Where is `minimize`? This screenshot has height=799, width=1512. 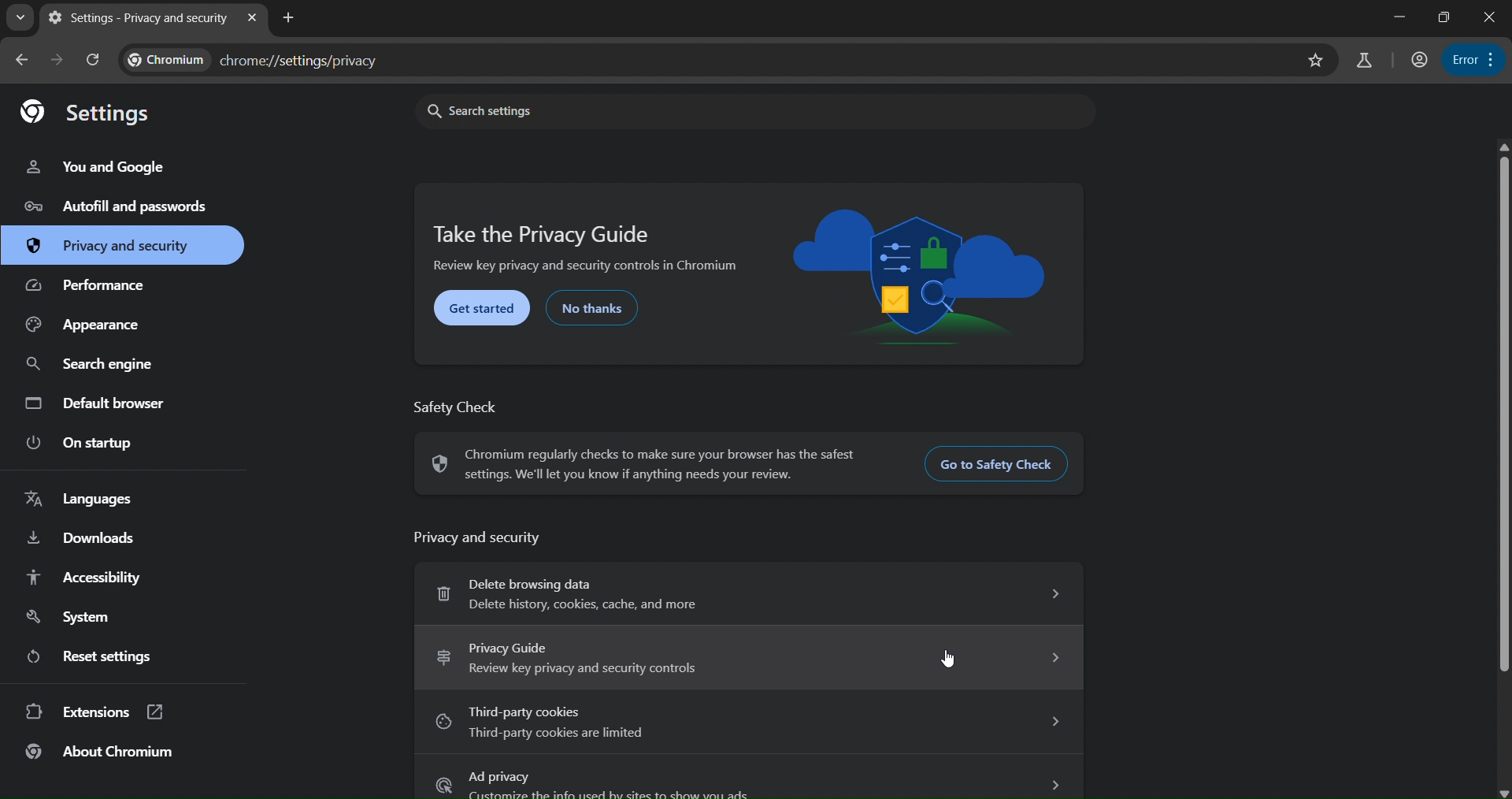 minimize is located at coordinates (1393, 15).